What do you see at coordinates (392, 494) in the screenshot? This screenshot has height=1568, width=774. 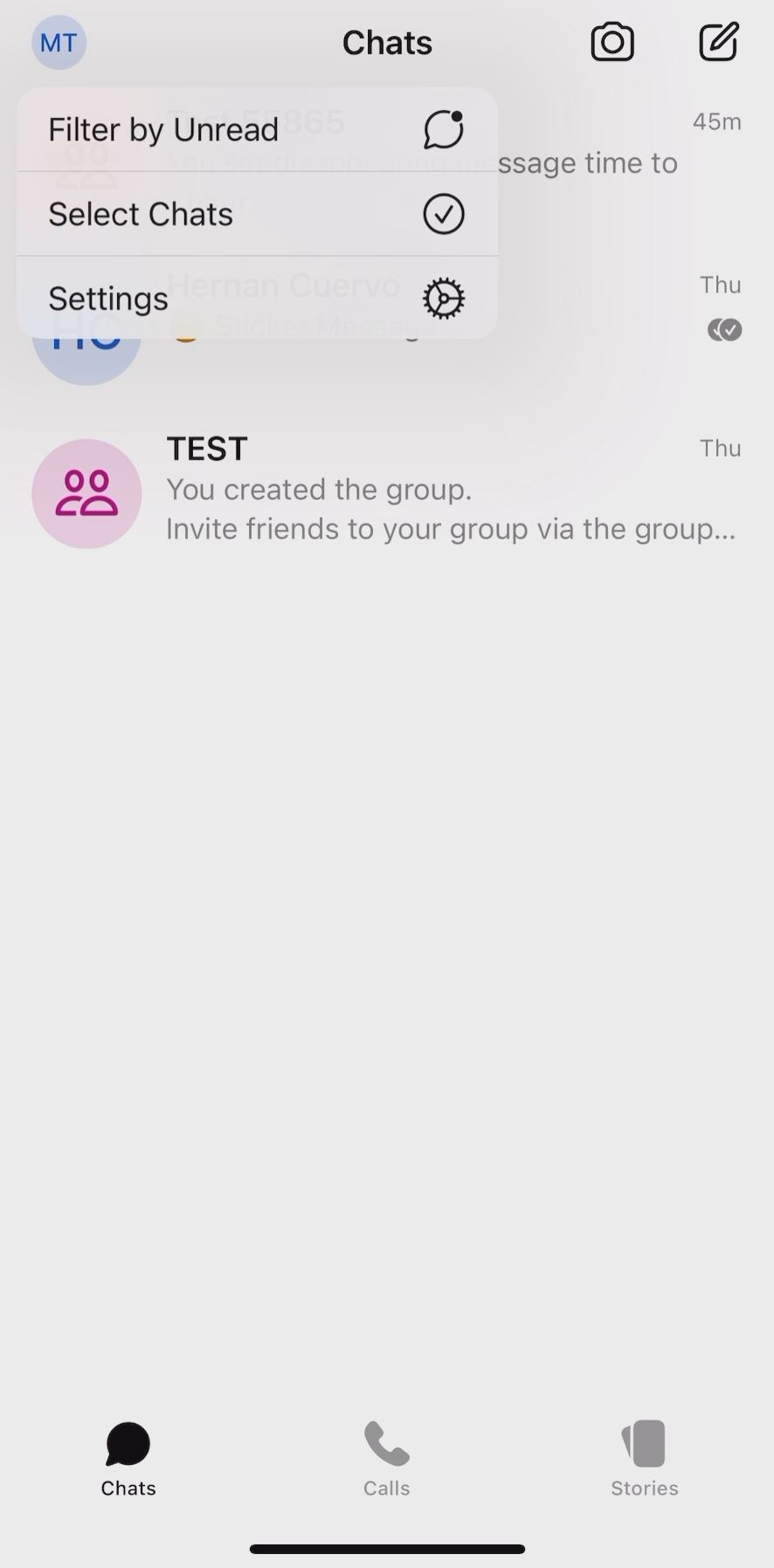 I see `TEST group` at bounding box center [392, 494].